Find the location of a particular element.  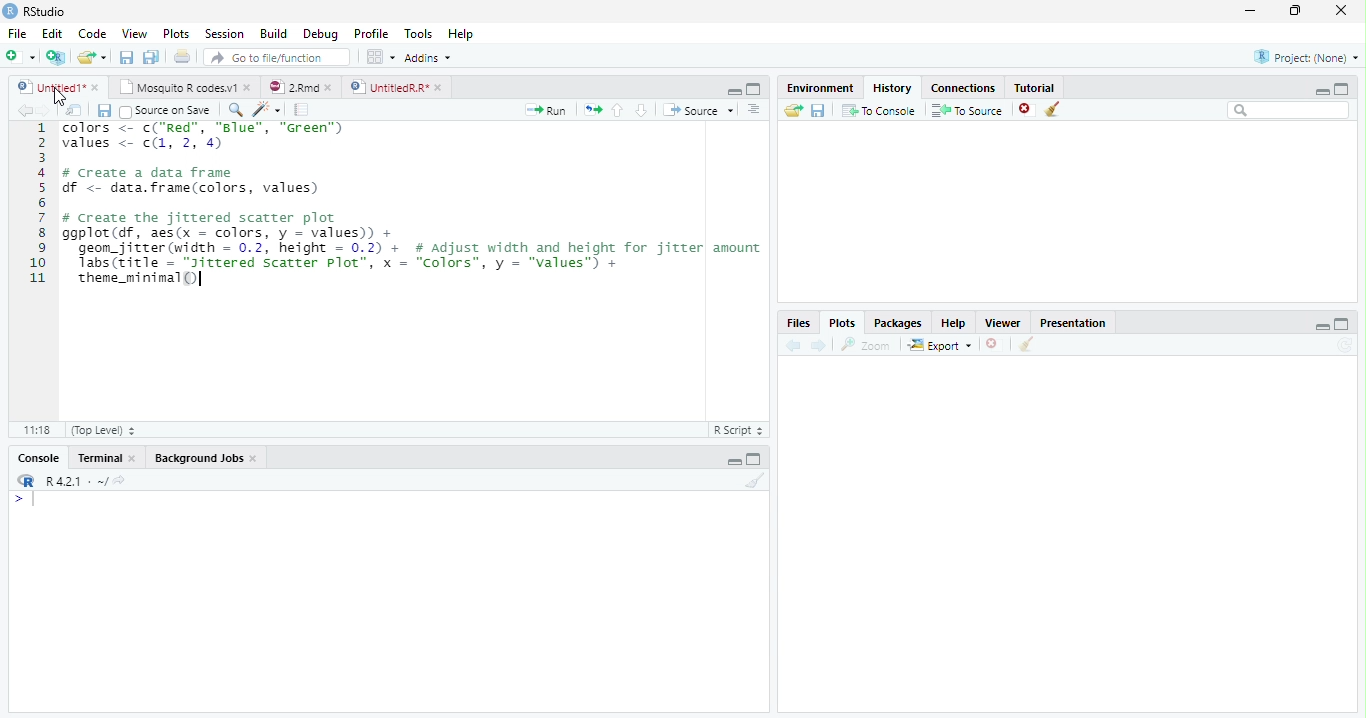

Refresh current plot is located at coordinates (1345, 345).